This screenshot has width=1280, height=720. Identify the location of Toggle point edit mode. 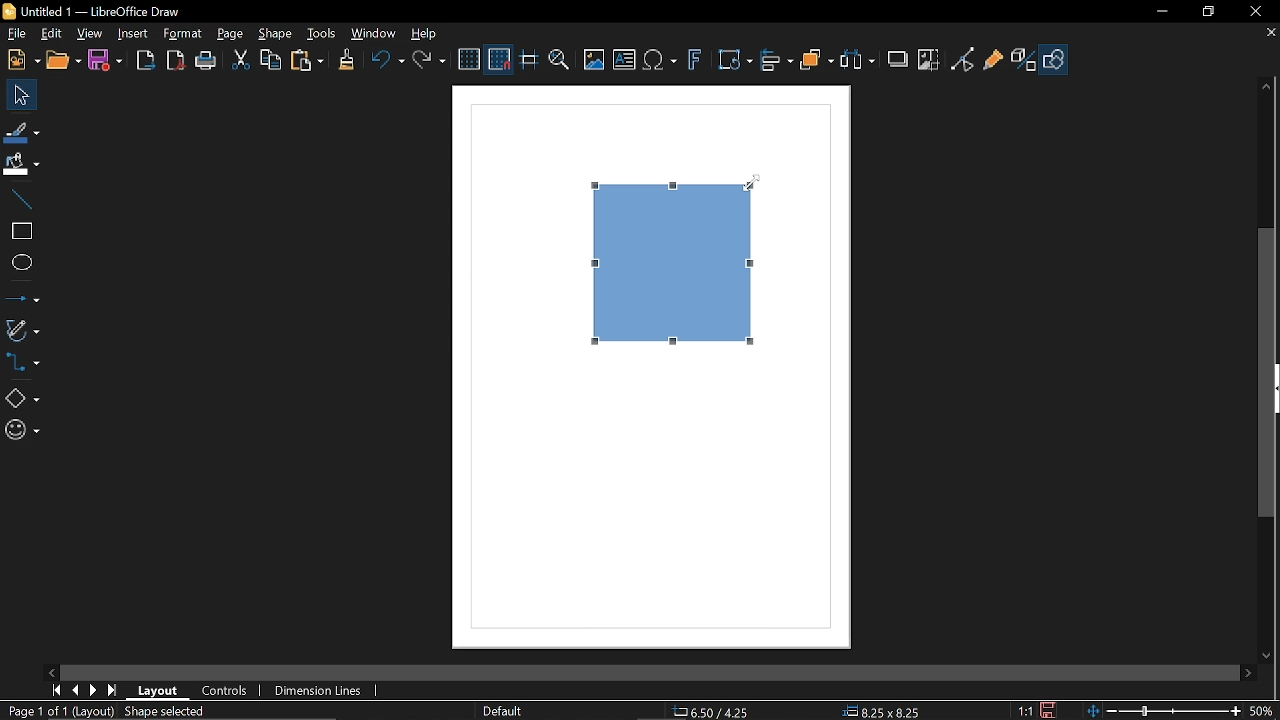
(962, 61).